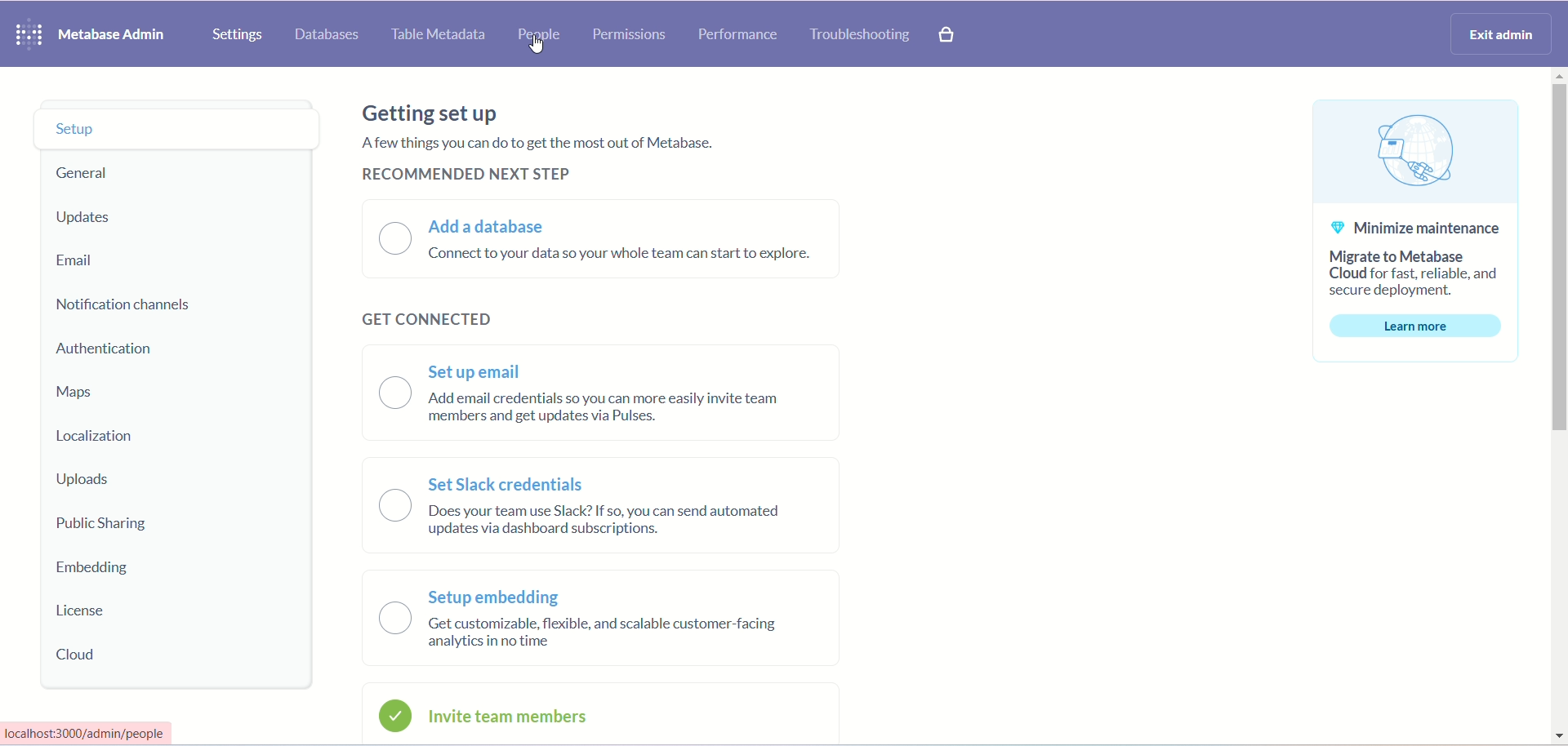  I want to click on text, so click(550, 159).